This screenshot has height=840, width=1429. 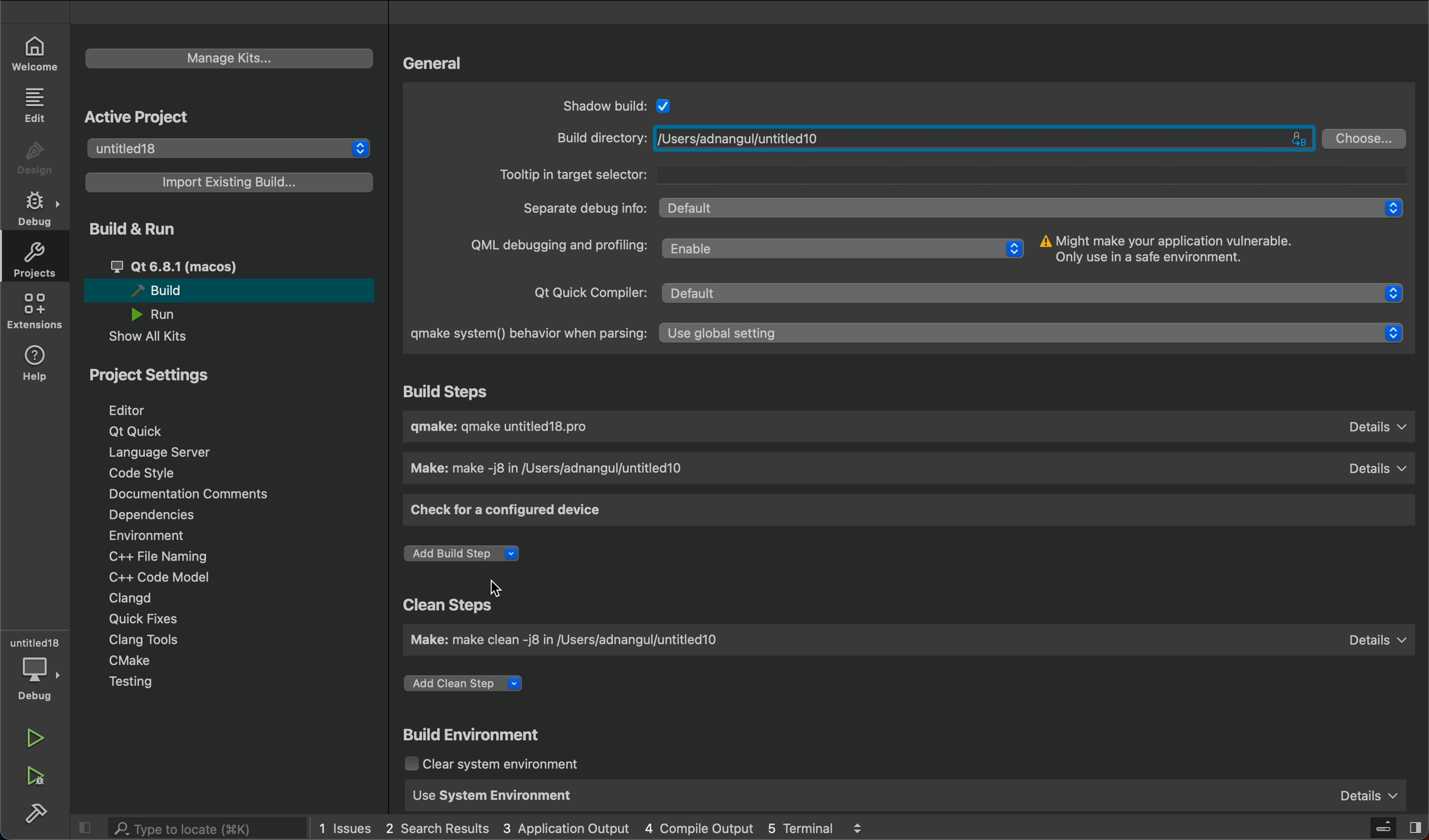 I want to click on run, so click(x=33, y=741).